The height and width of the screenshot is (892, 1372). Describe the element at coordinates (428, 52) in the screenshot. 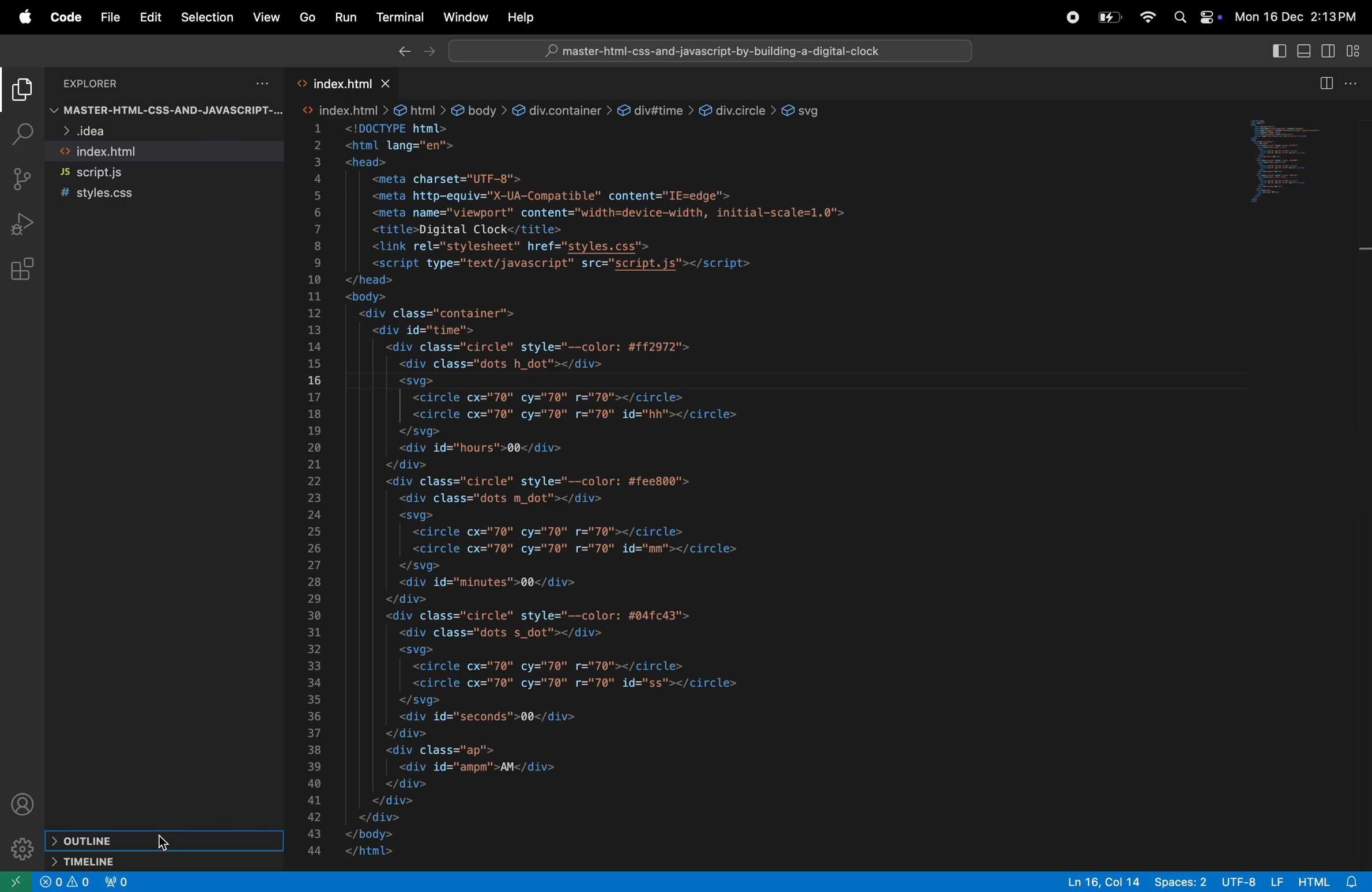

I see `forward` at that location.